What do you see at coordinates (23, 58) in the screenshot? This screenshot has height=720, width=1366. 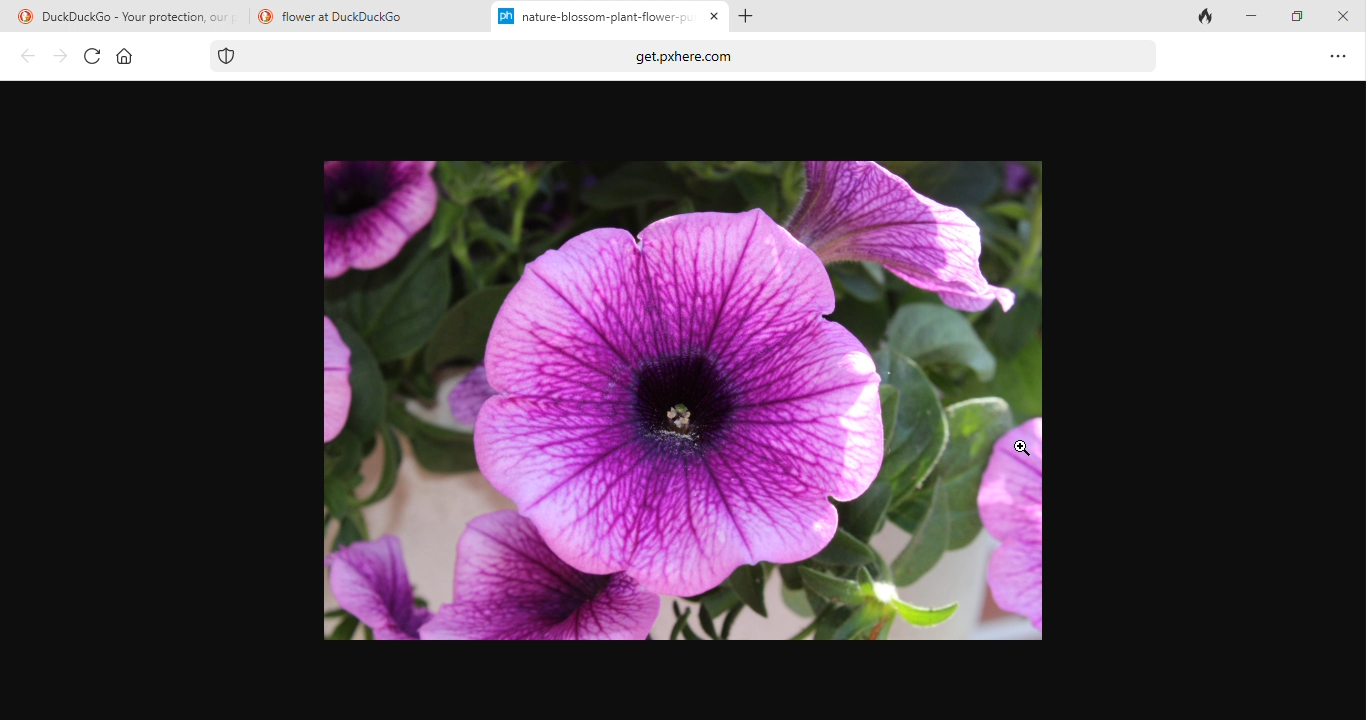 I see `back` at bounding box center [23, 58].